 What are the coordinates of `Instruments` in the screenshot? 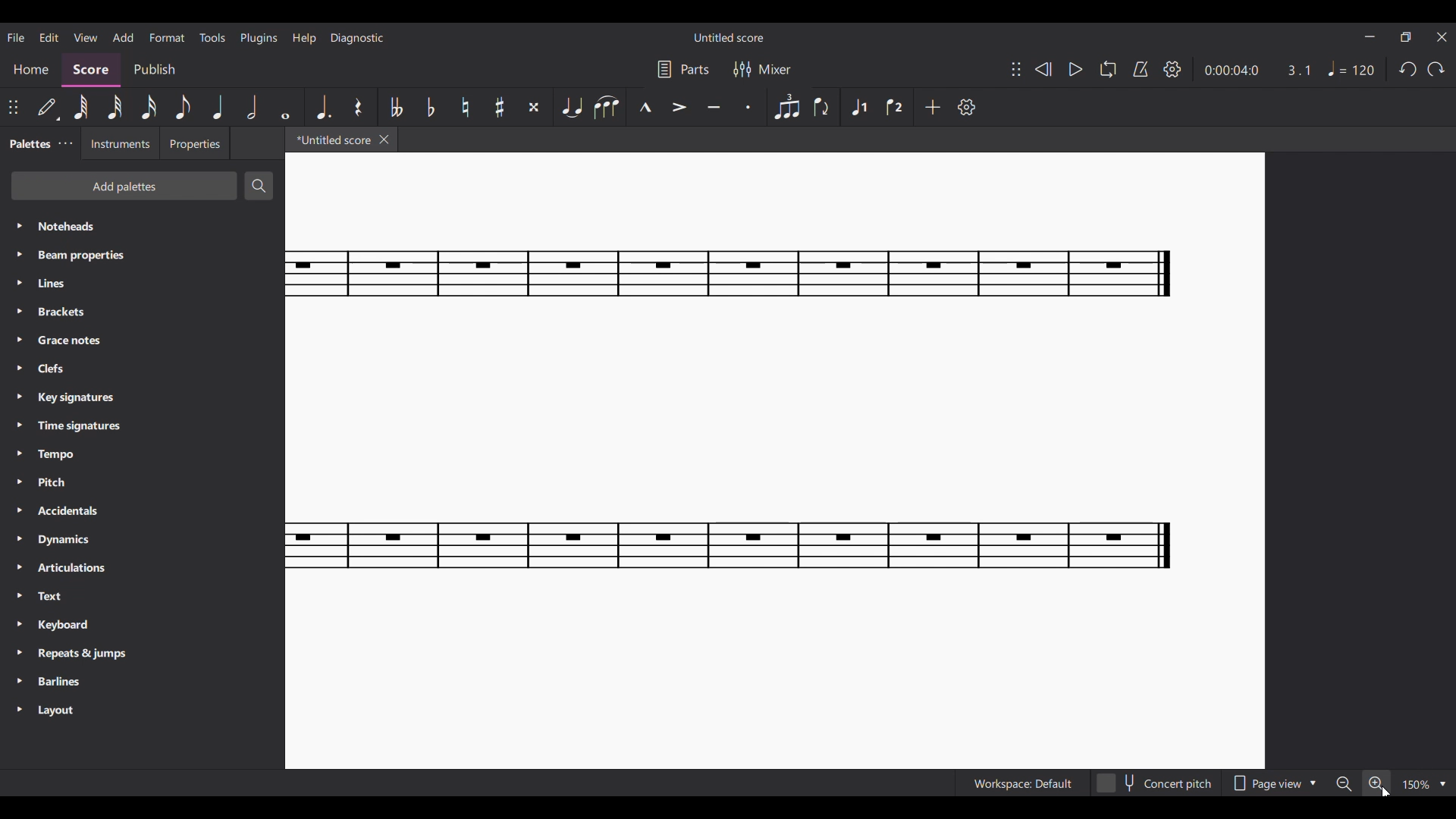 It's located at (120, 143).